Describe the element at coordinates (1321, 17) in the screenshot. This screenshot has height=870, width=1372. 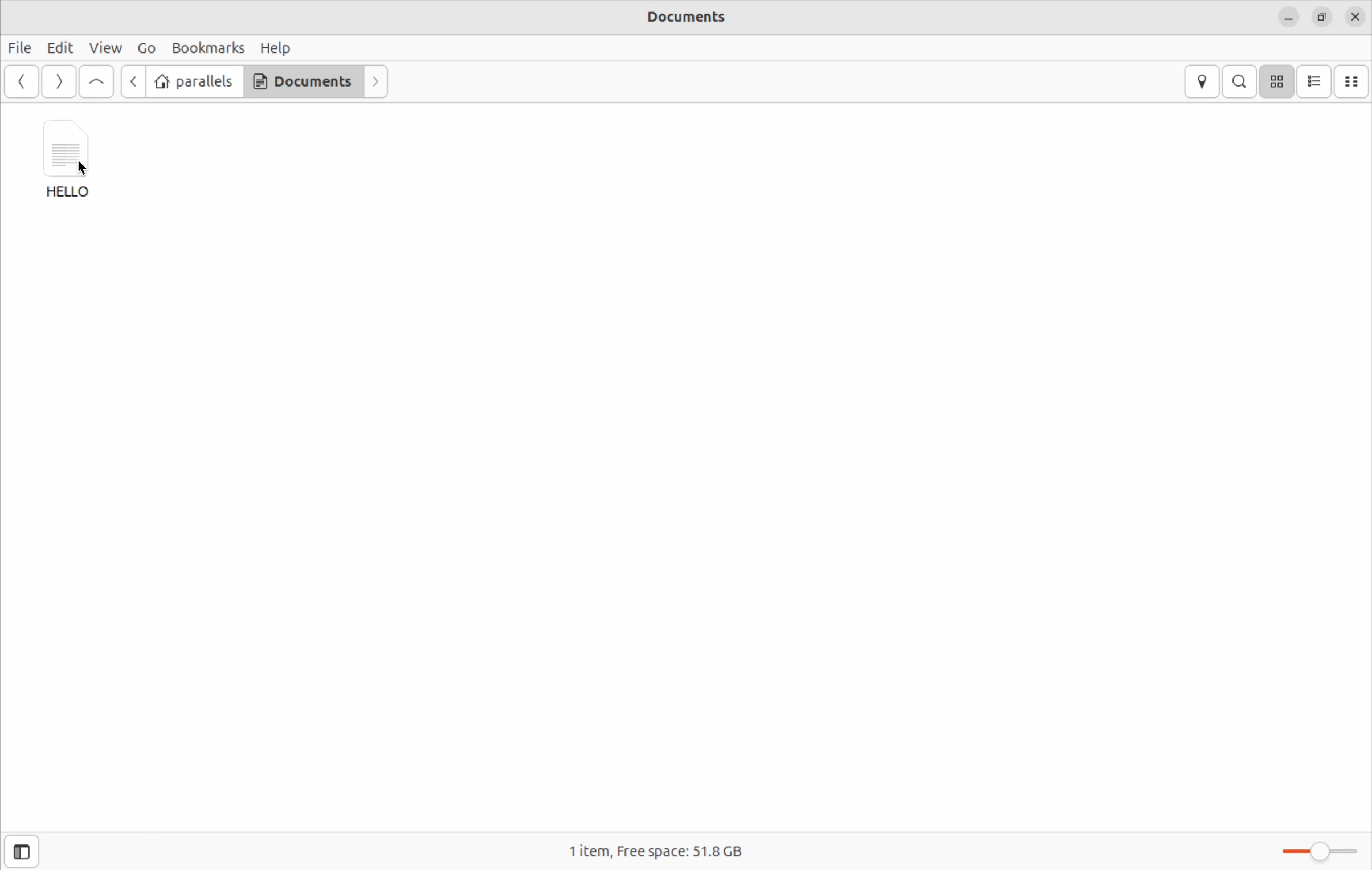
I see `resize` at that location.